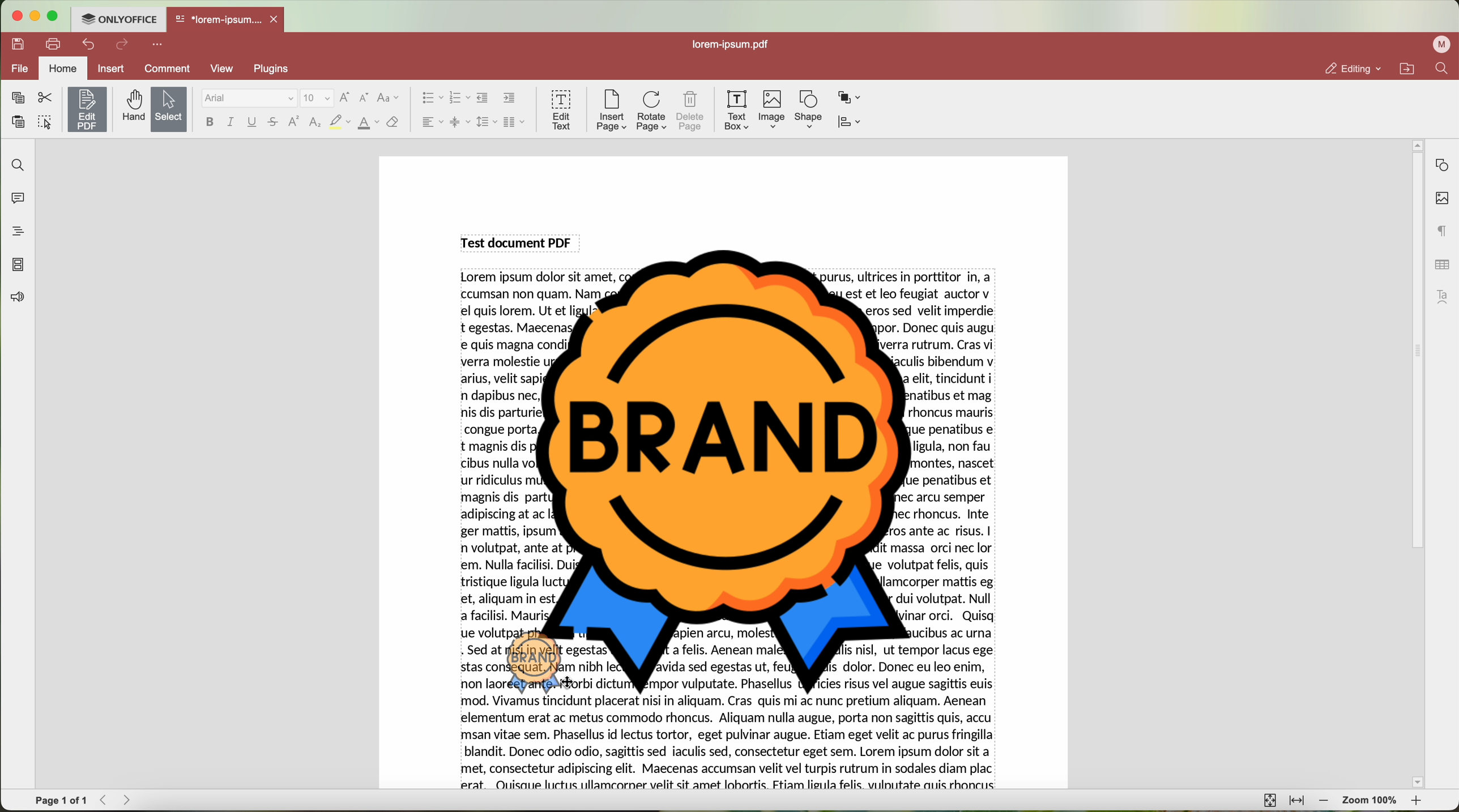 The image size is (1459, 812). What do you see at coordinates (54, 16) in the screenshot?
I see `maximize` at bounding box center [54, 16].